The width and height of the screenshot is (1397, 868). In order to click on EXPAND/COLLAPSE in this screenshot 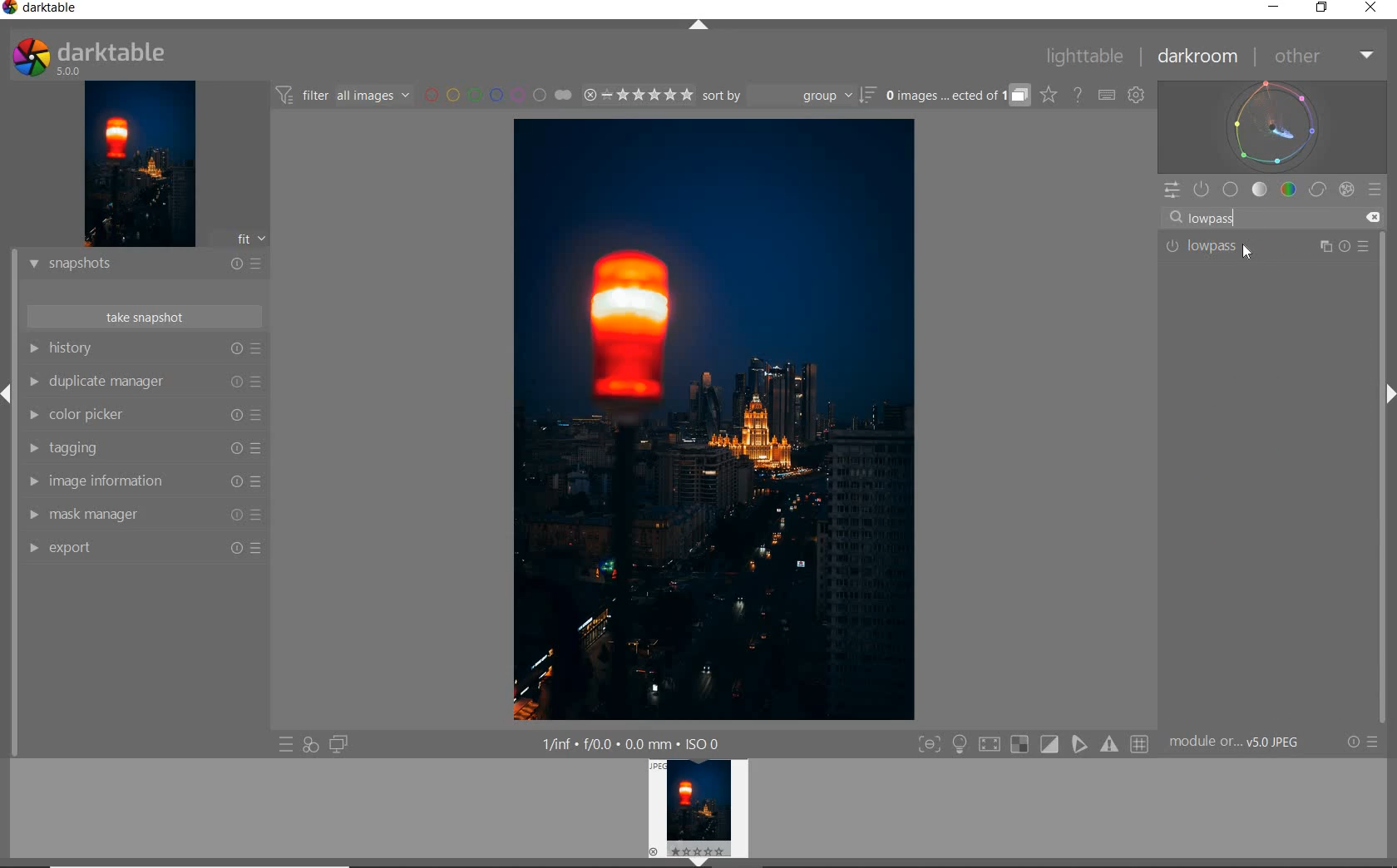, I will do `click(700, 27)`.